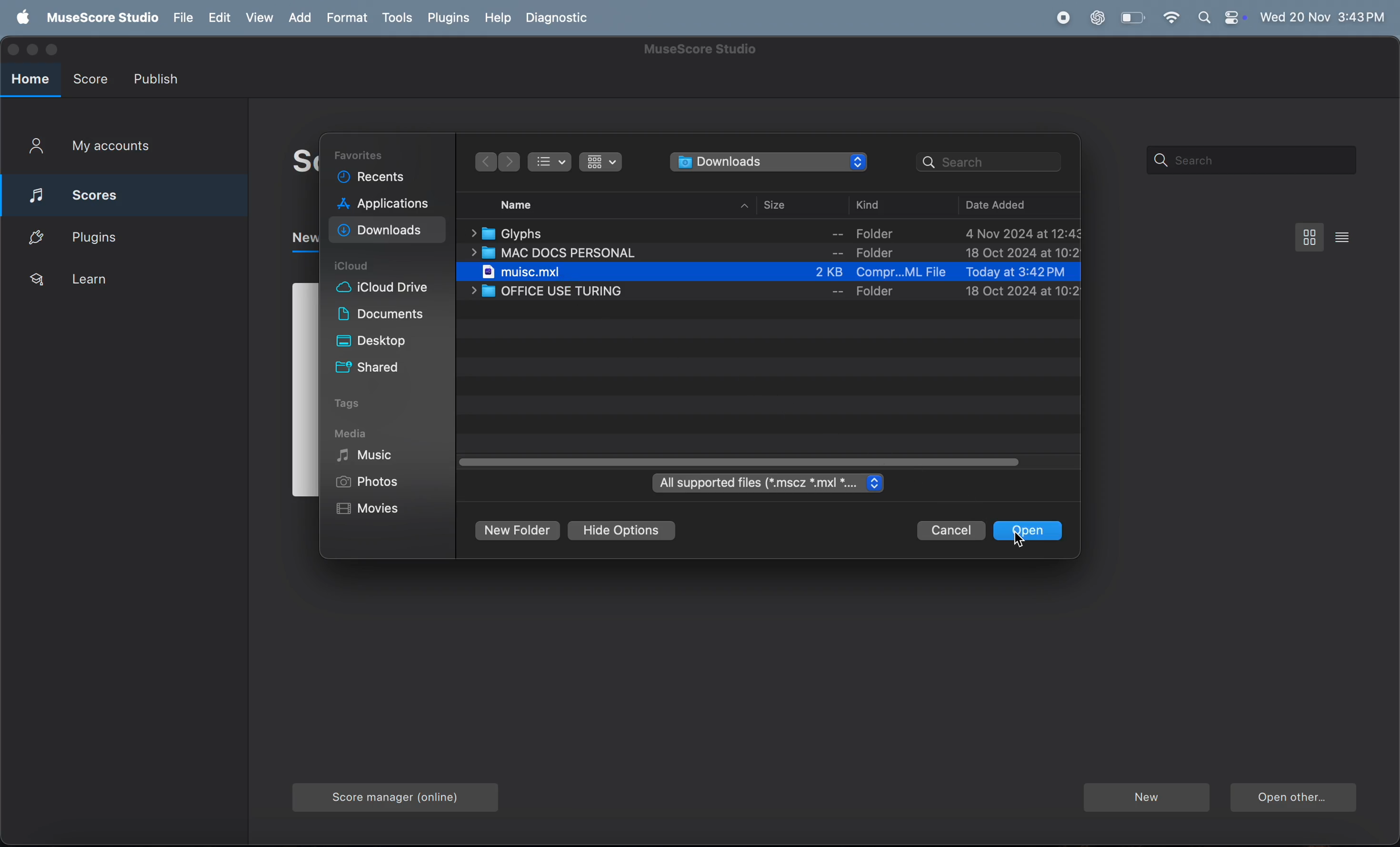 This screenshot has height=847, width=1400. I want to click on apple widgets, so click(1219, 18).